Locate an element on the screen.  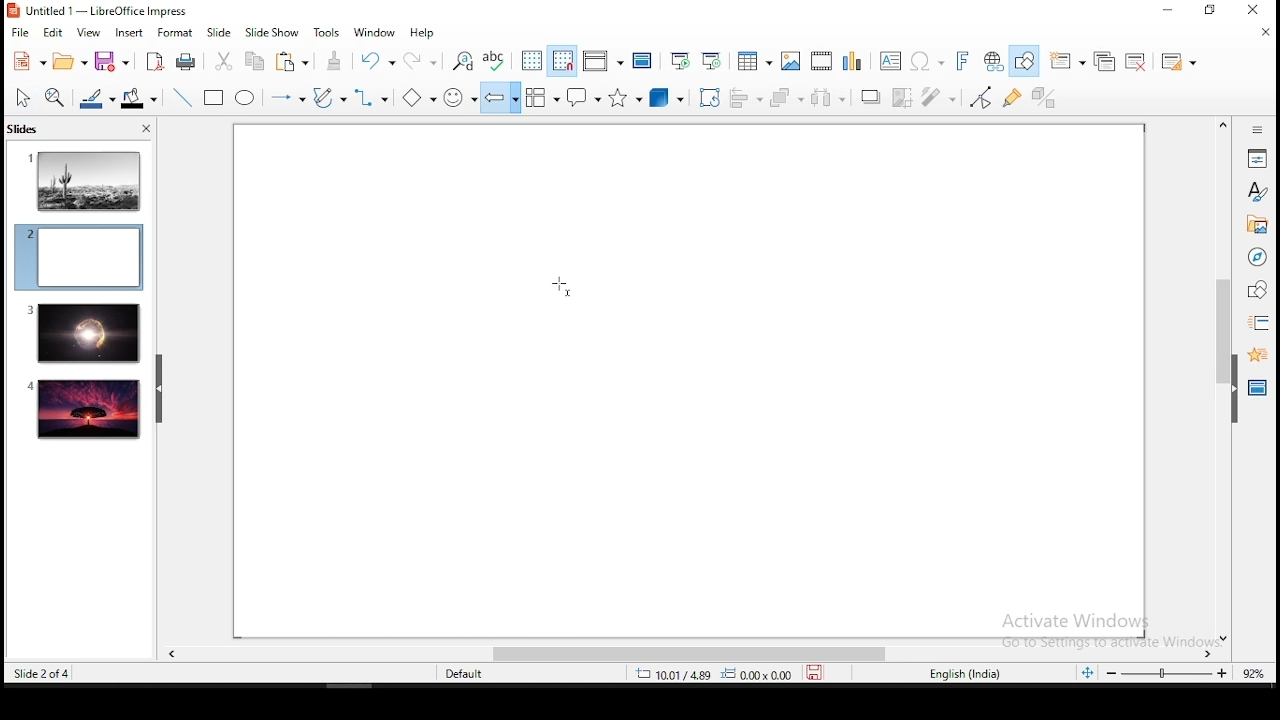
flowchart is located at coordinates (543, 99).